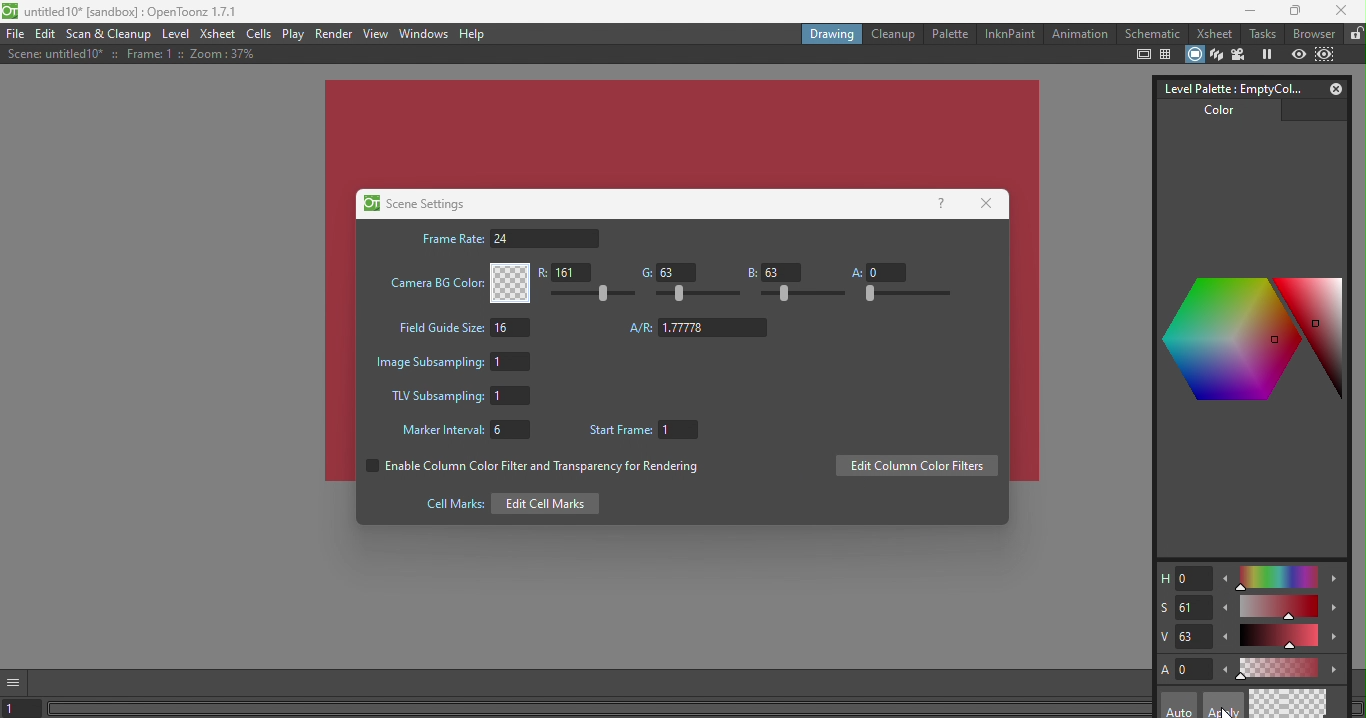 The image size is (1366, 718). Describe the element at coordinates (600, 710) in the screenshot. I see `Horizontal scroll bar` at that location.